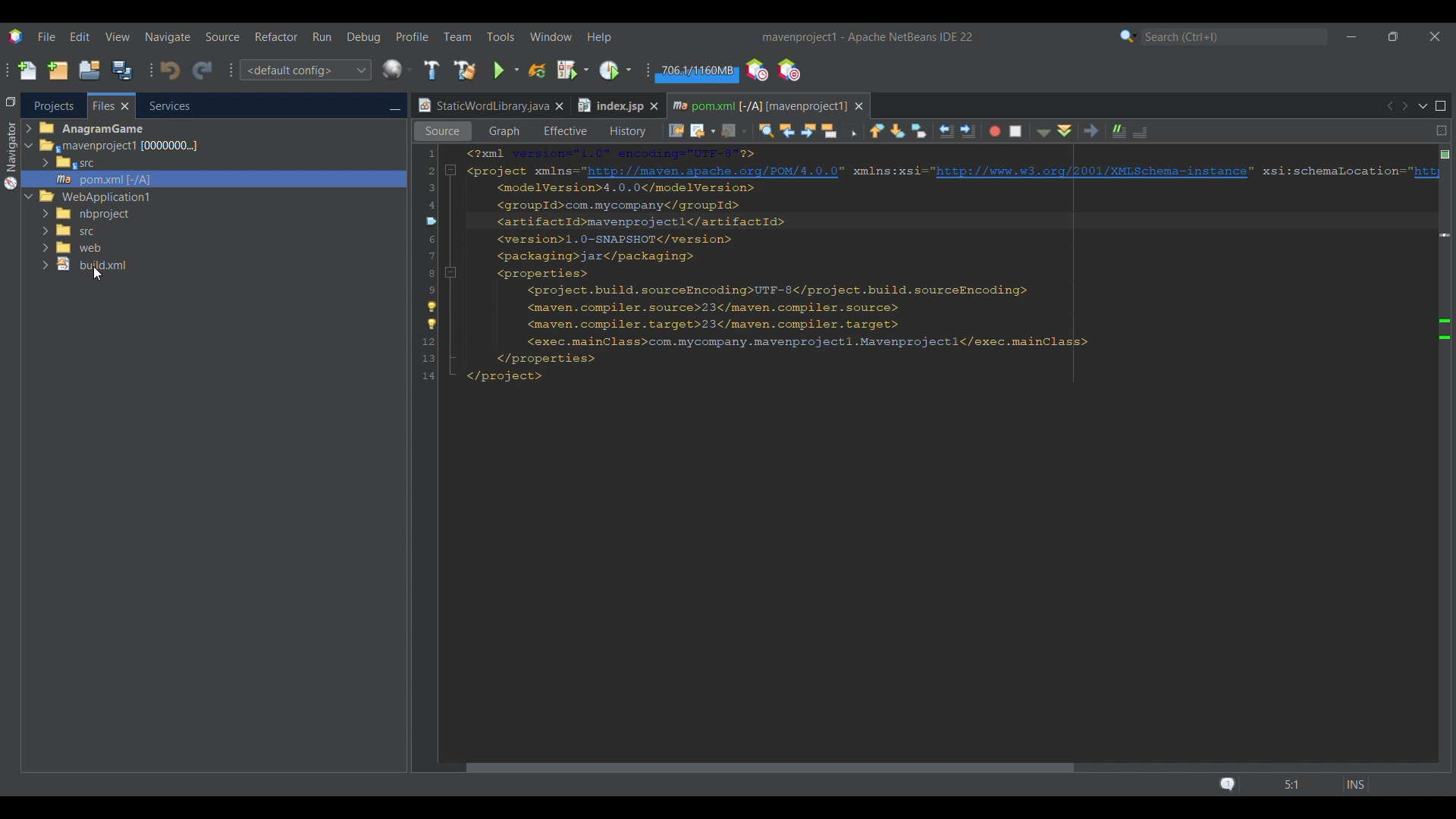 The width and height of the screenshot is (1456, 819). I want to click on Close tab, so click(859, 106).